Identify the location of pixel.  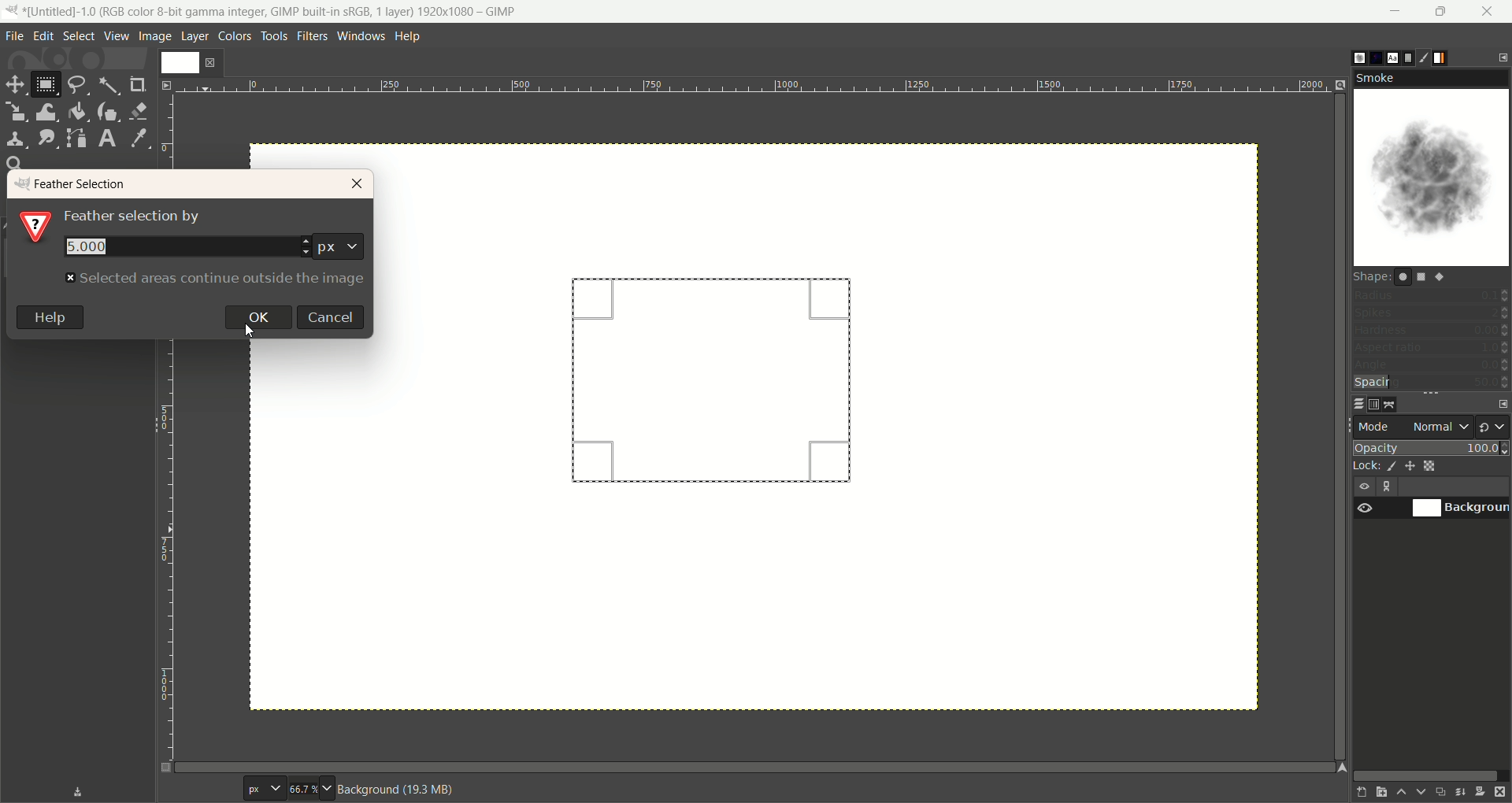
(337, 245).